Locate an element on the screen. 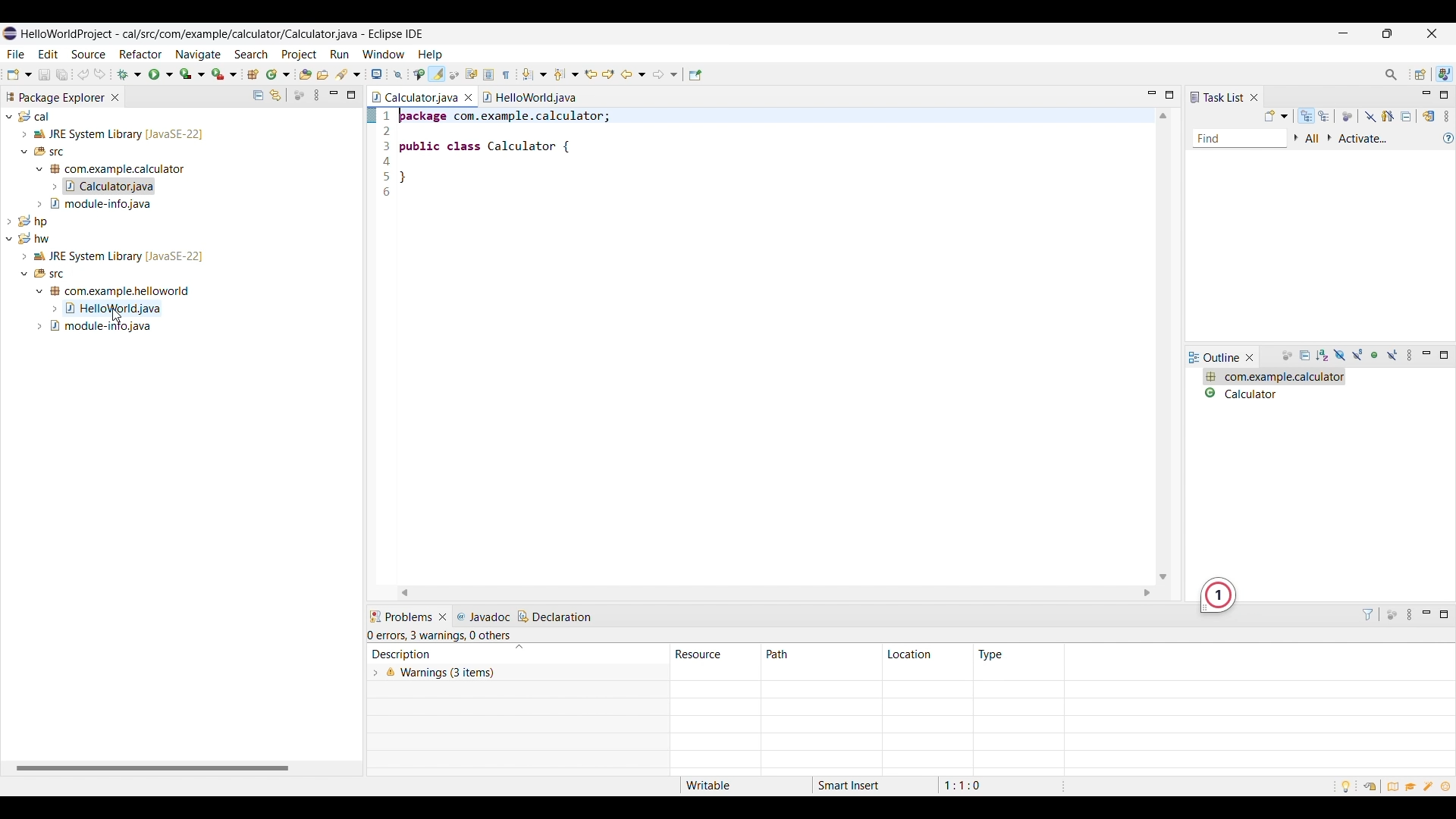 This screenshot has width=1456, height=819. Close is located at coordinates (1254, 97).